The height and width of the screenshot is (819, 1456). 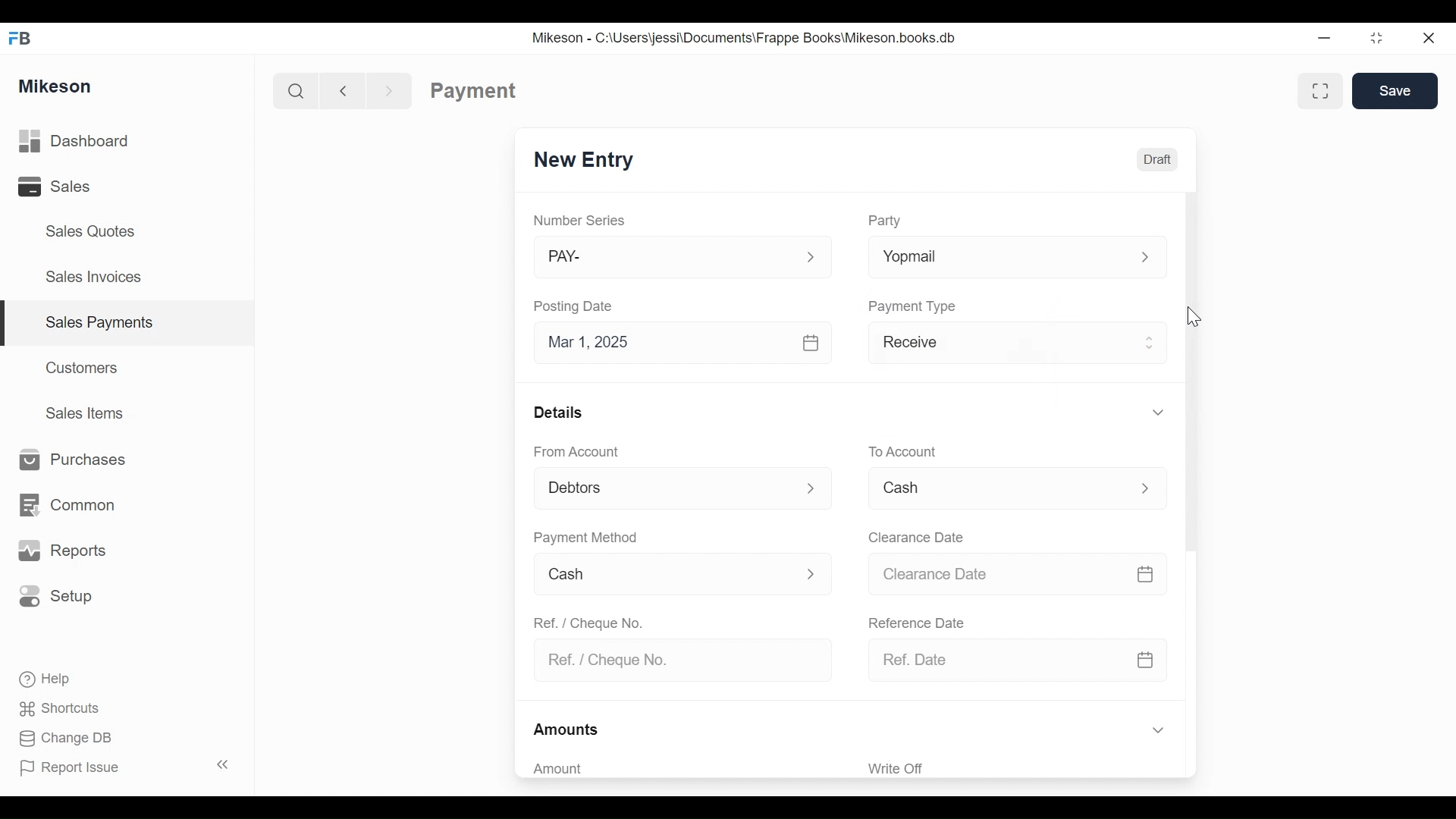 I want to click on Forward, so click(x=394, y=89).